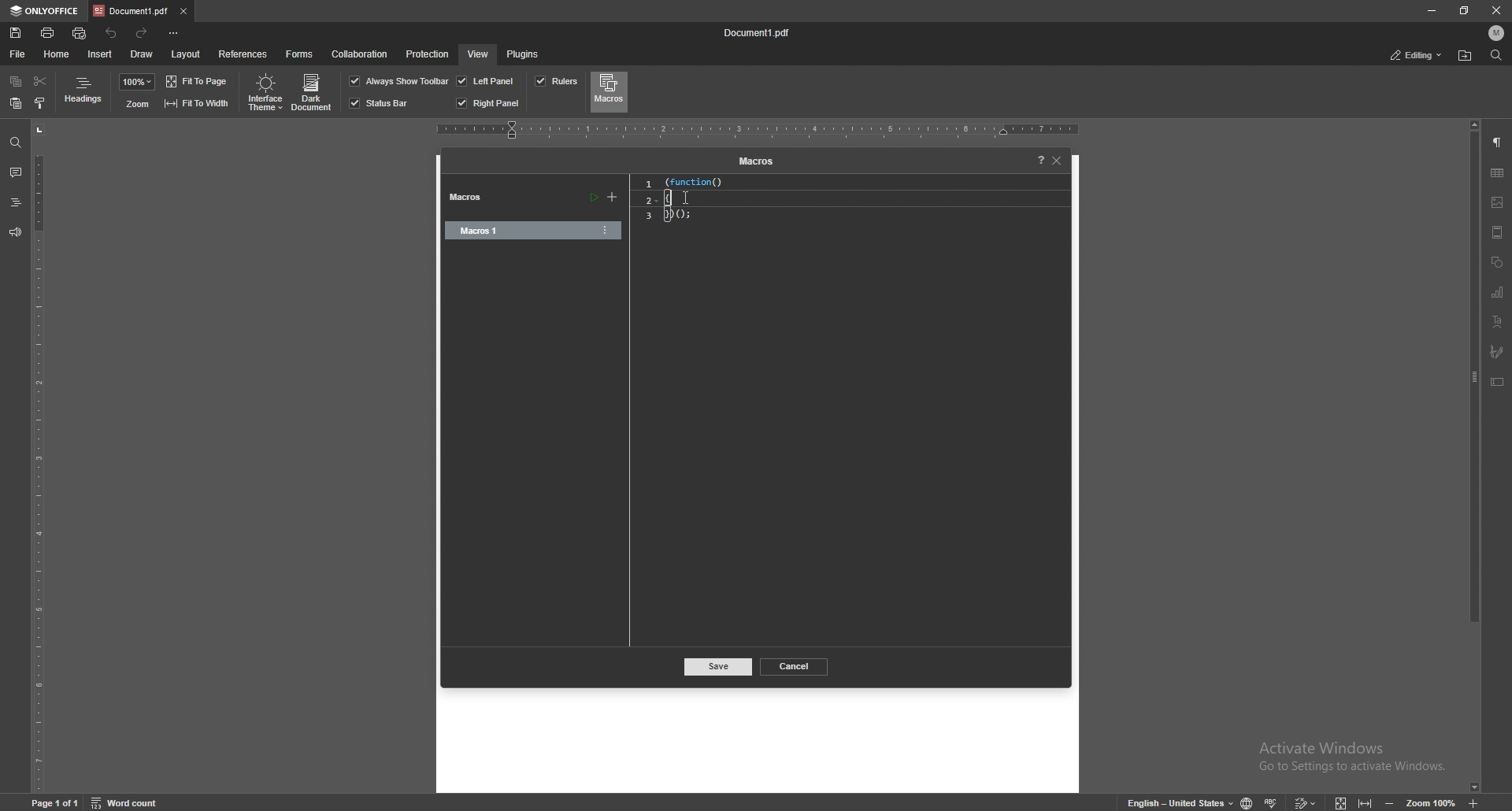  Describe the element at coordinates (16, 83) in the screenshot. I see `copy` at that location.